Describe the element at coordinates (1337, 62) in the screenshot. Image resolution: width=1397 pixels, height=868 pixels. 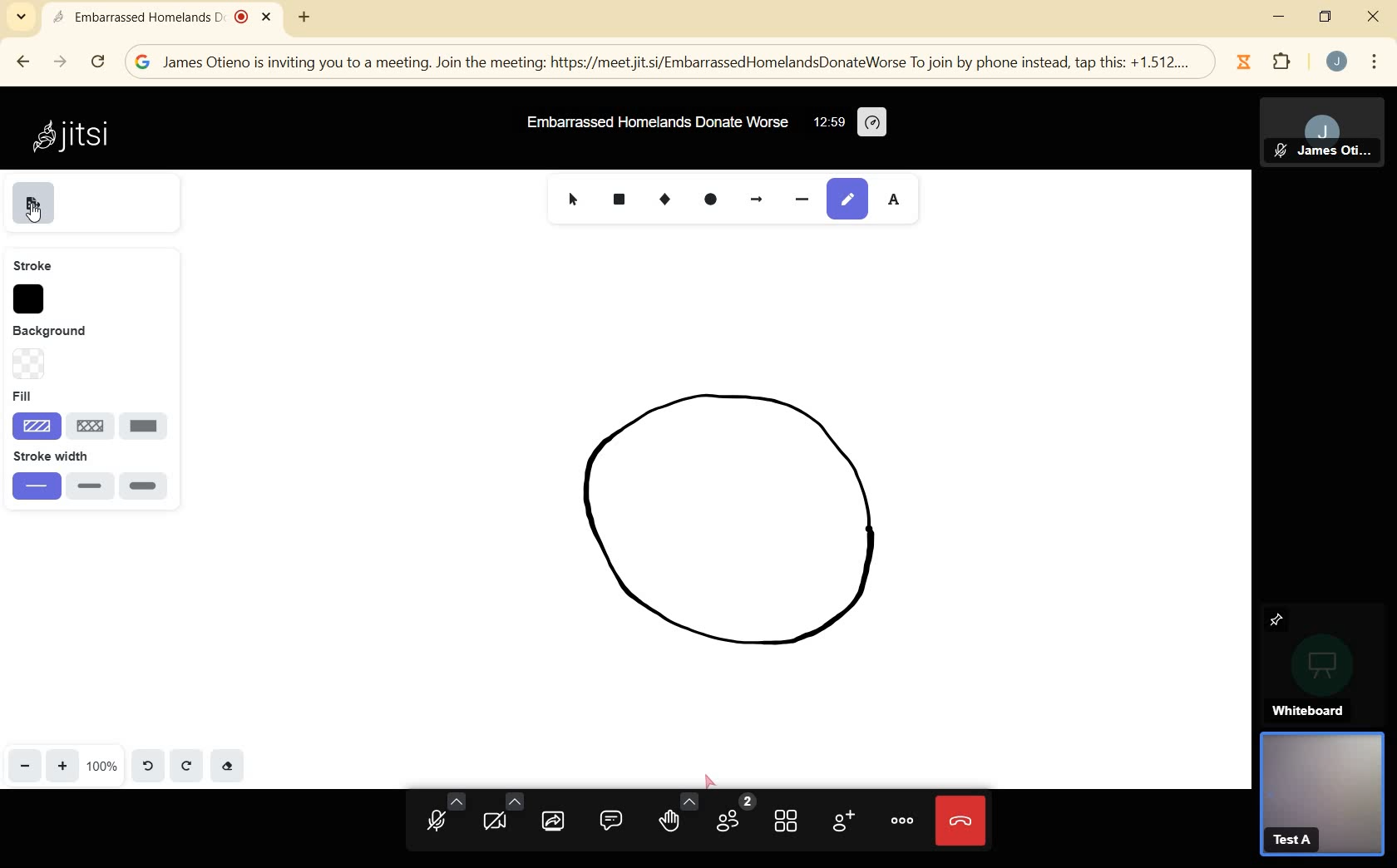
I see `account` at that location.